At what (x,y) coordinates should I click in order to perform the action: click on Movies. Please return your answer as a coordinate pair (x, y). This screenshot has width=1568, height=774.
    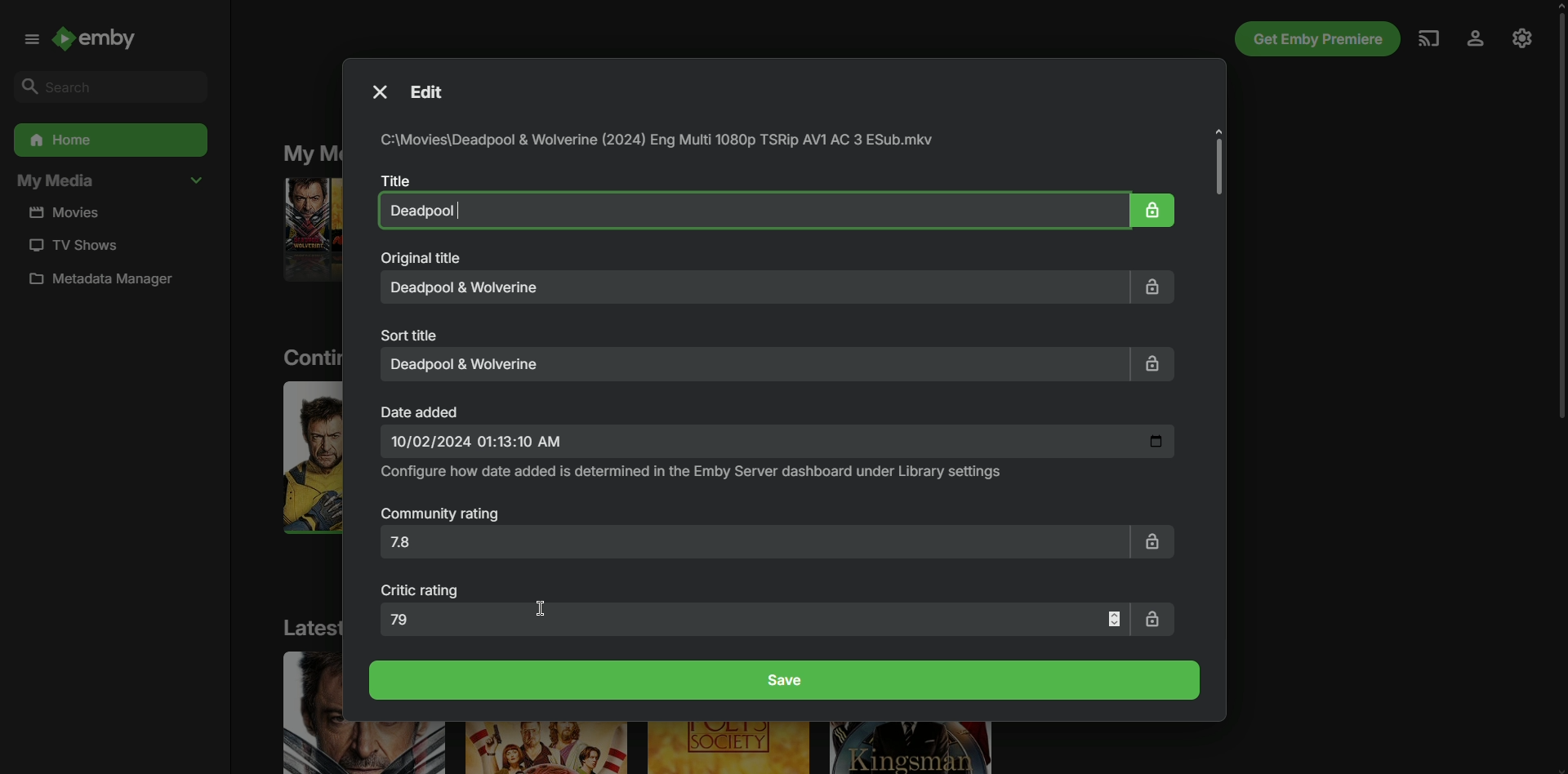
    Looking at the image, I should click on (72, 213).